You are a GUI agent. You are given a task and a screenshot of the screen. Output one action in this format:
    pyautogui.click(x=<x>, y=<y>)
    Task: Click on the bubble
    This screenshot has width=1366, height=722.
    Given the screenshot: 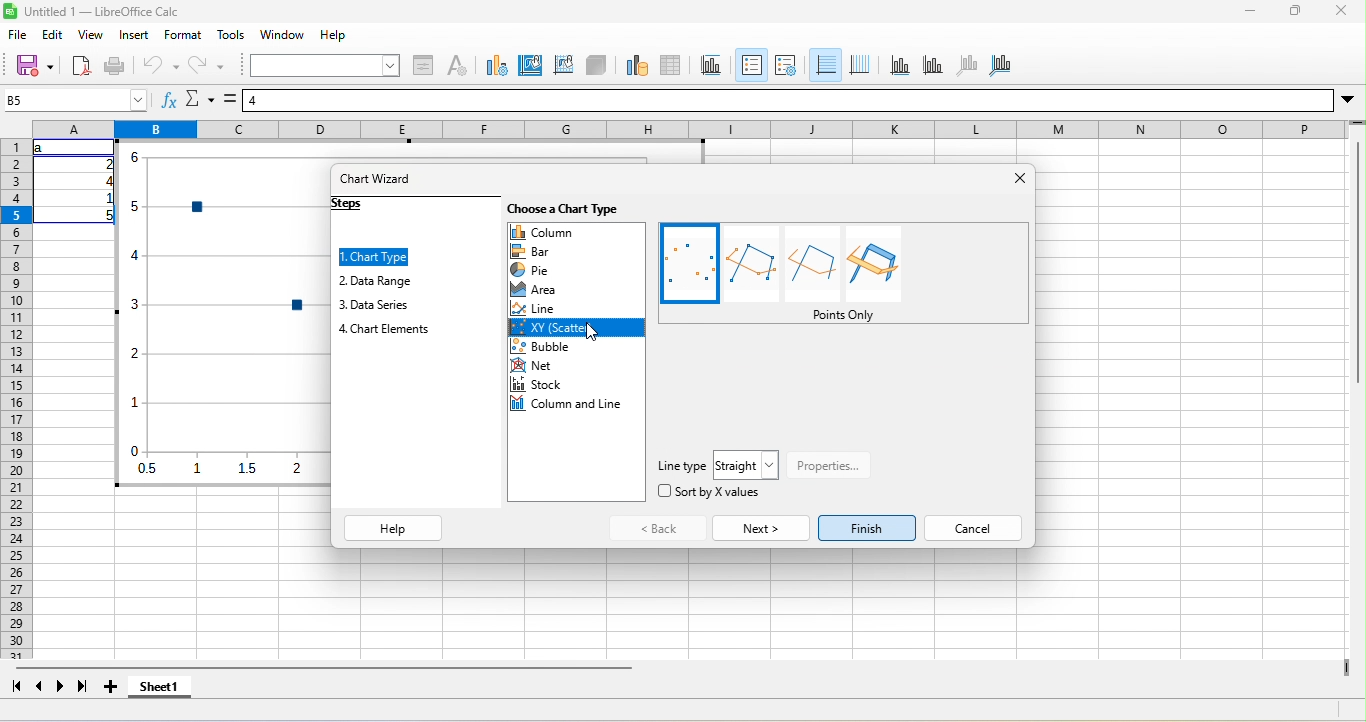 What is the action you would take?
    pyautogui.click(x=576, y=346)
    